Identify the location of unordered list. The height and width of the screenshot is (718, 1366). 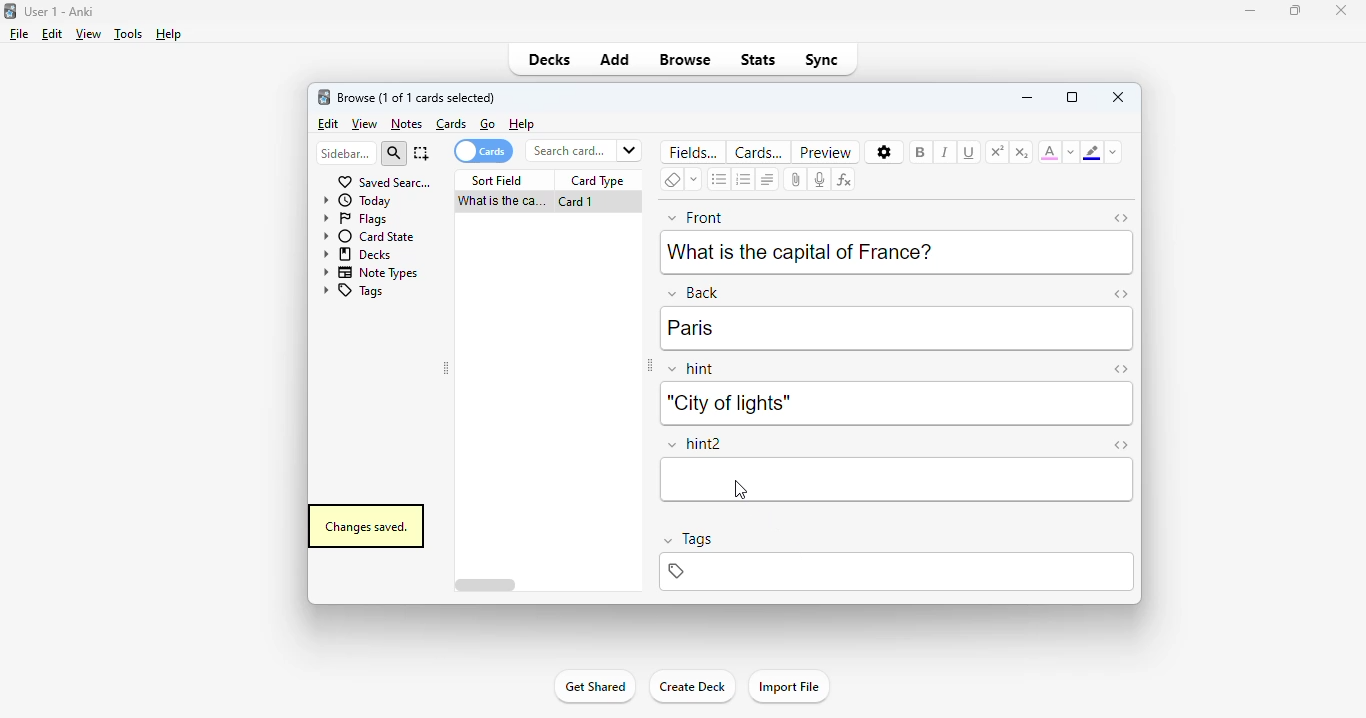
(720, 180).